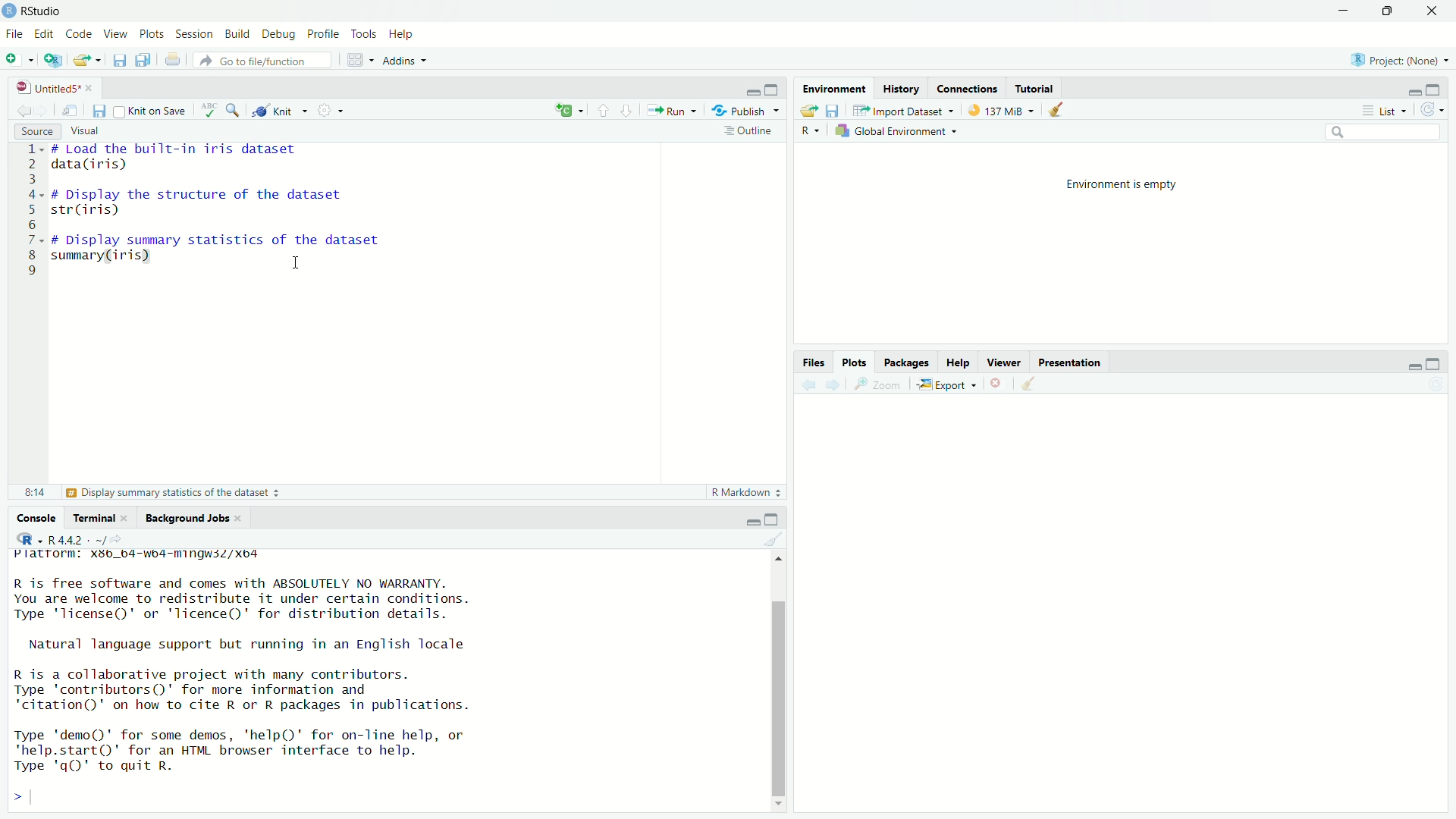 The height and width of the screenshot is (819, 1456). I want to click on Workspace panes, so click(359, 60).